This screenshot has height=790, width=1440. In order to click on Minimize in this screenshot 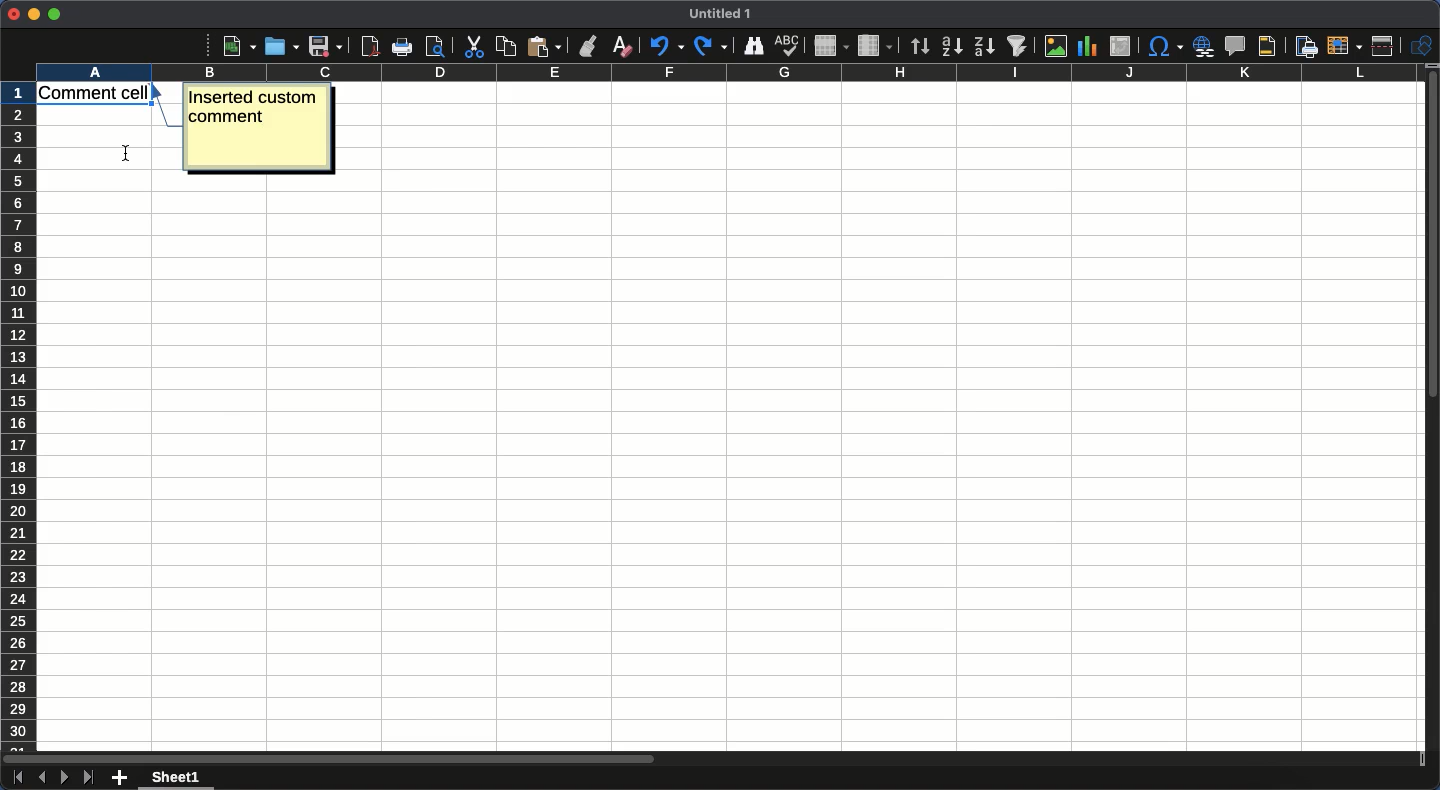, I will do `click(36, 15)`.